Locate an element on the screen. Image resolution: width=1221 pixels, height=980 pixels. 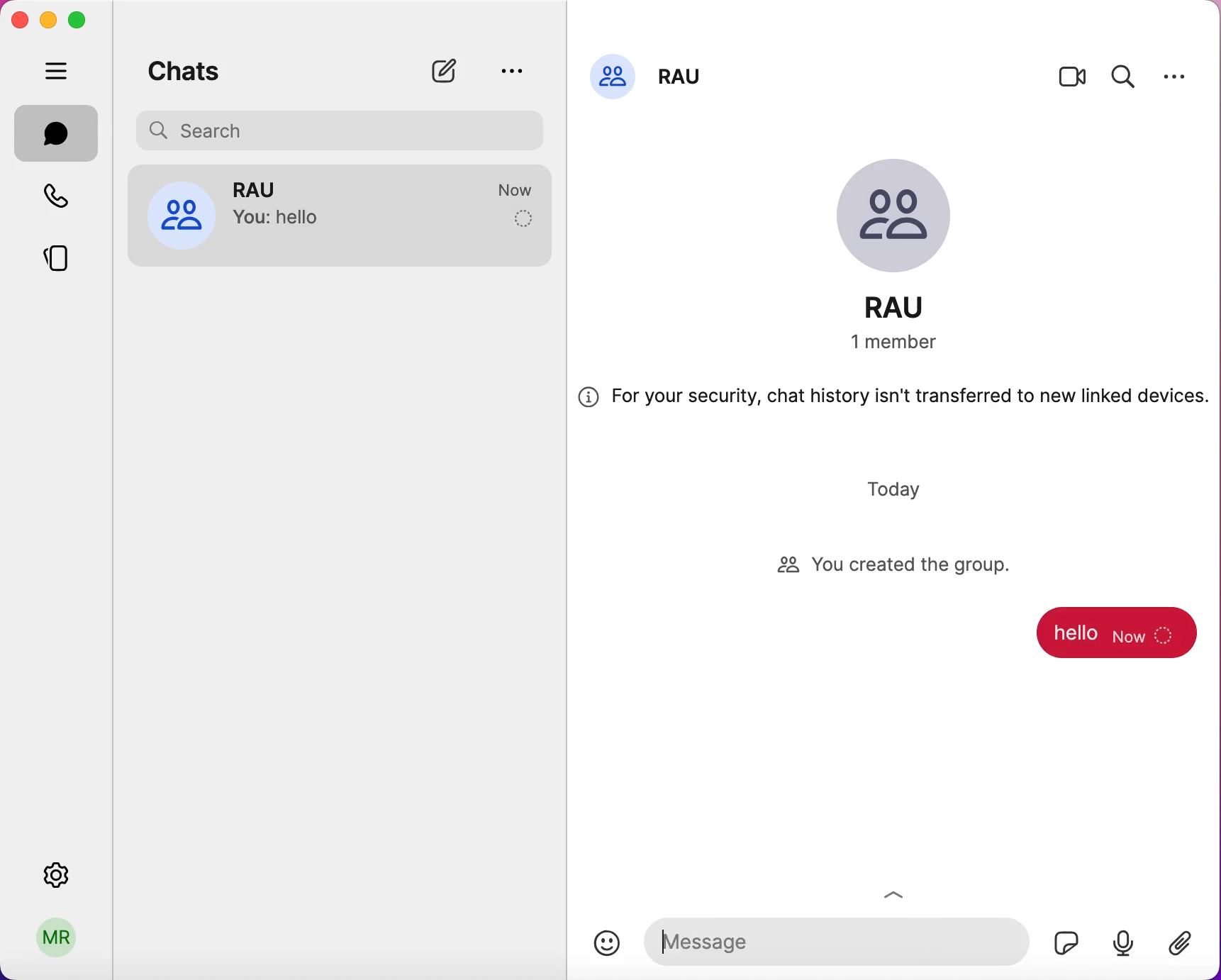
hide bar is located at coordinates (60, 72).